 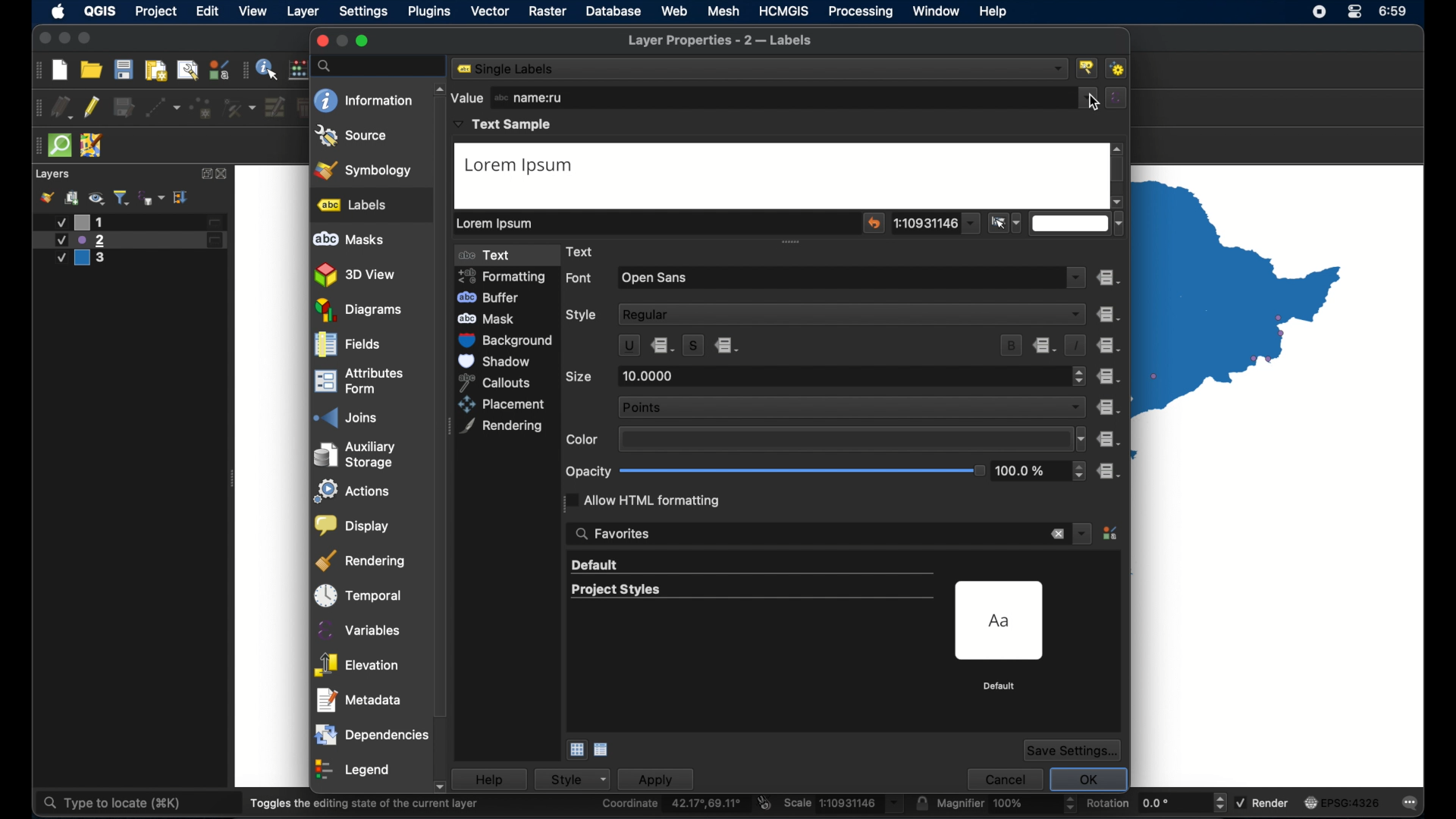 What do you see at coordinates (363, 41) in the screenshot?
I see `maximize` at bounding box center [363, 41].